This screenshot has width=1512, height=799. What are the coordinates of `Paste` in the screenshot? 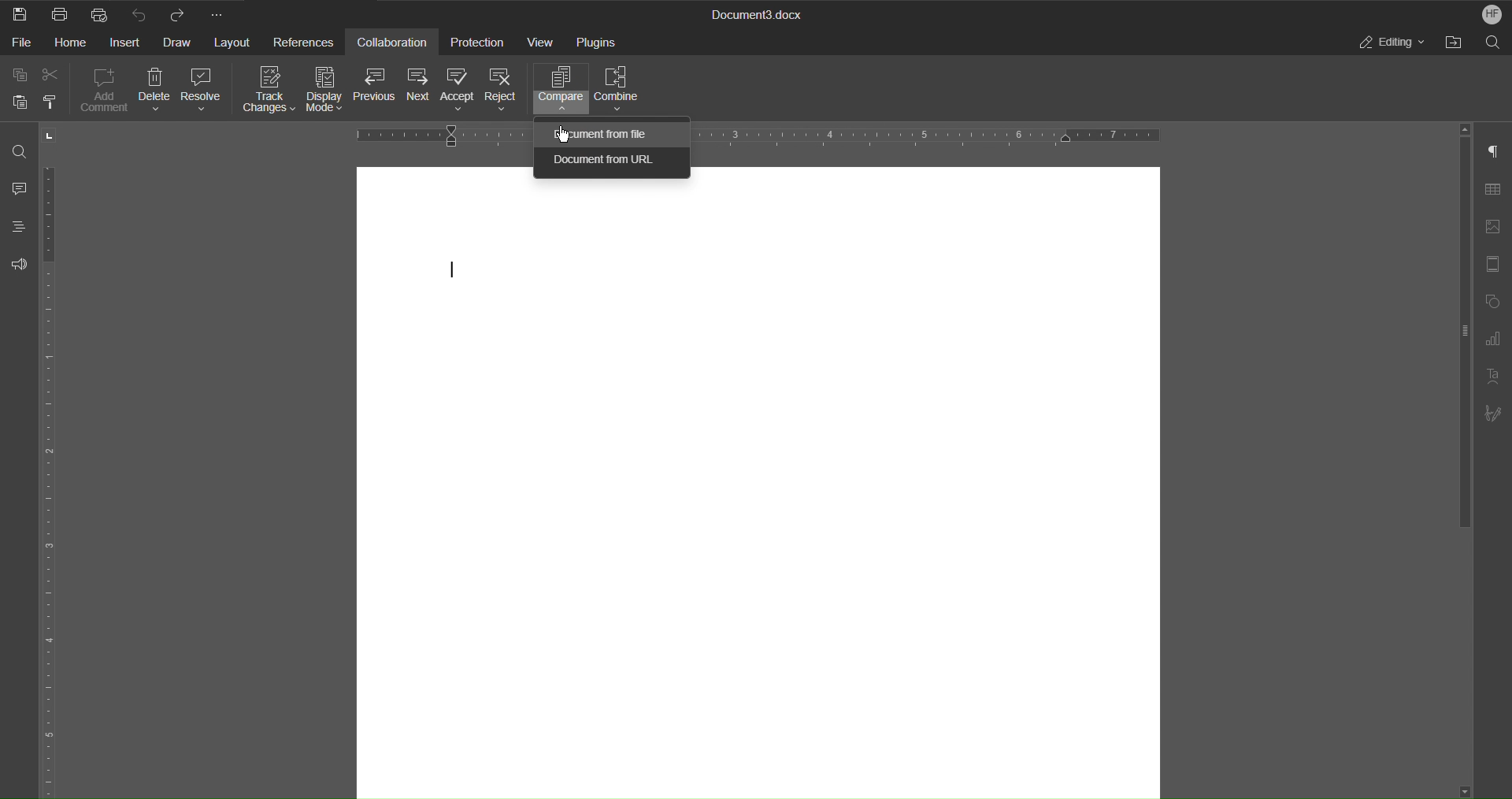 It's located at (22, 102).